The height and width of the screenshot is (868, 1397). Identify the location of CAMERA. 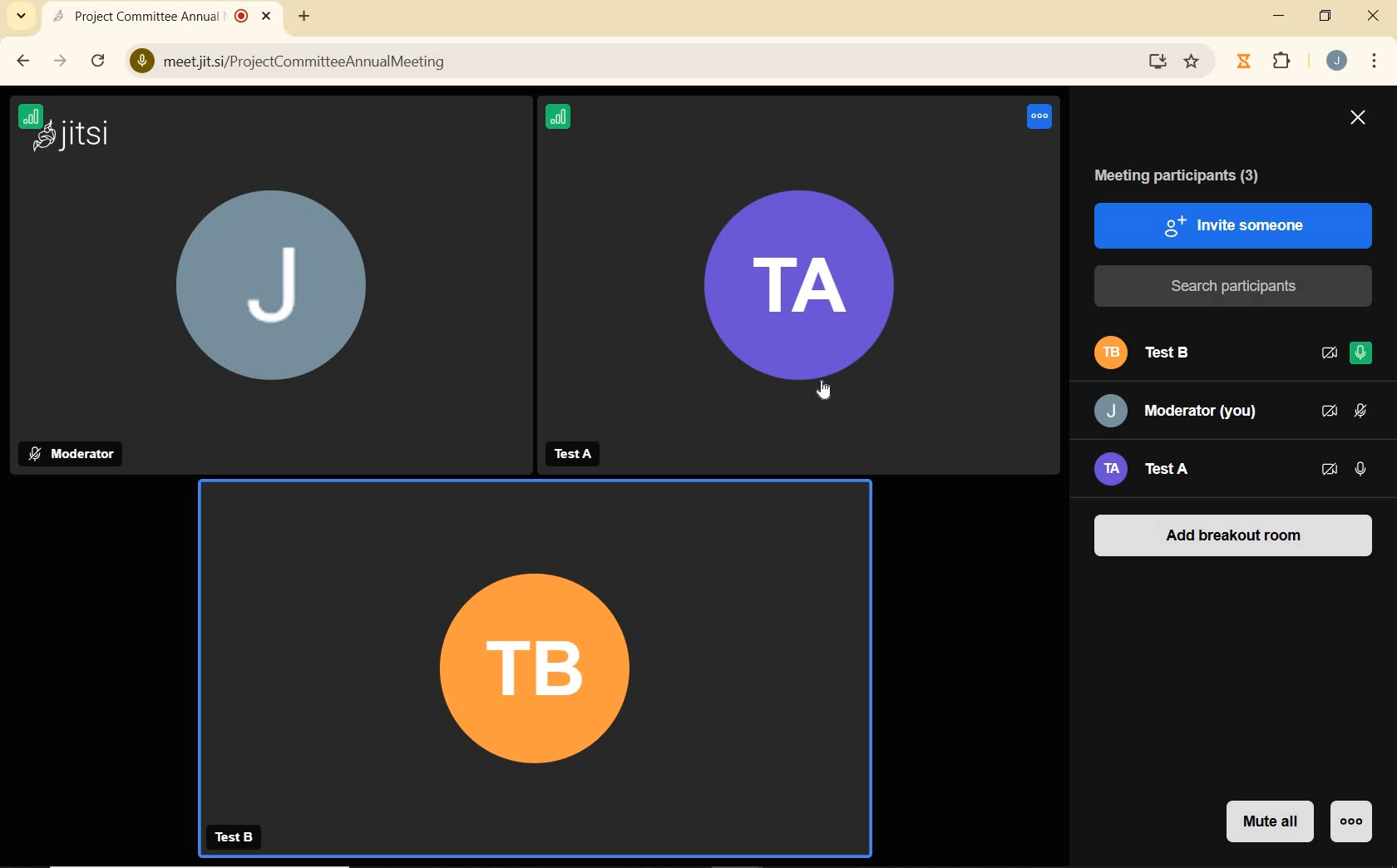
(1330, 412).